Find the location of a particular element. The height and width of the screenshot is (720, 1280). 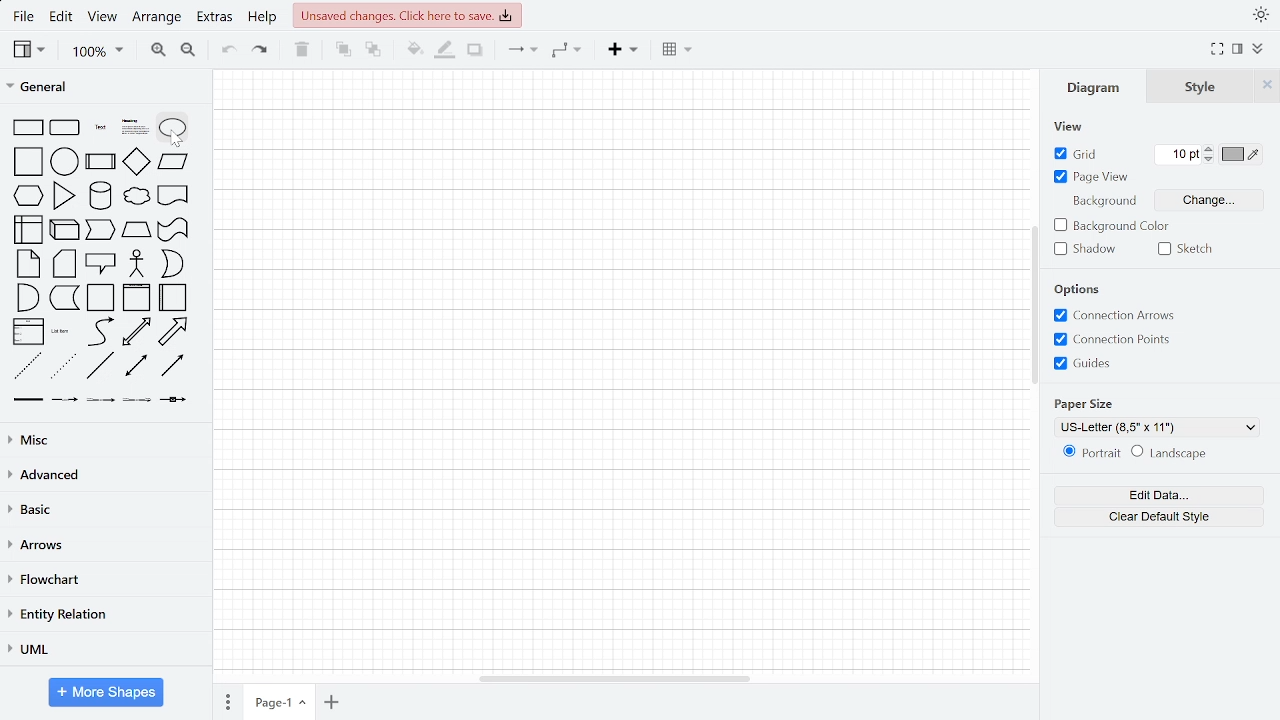

Diagram is located at coordinates (1096, 88).